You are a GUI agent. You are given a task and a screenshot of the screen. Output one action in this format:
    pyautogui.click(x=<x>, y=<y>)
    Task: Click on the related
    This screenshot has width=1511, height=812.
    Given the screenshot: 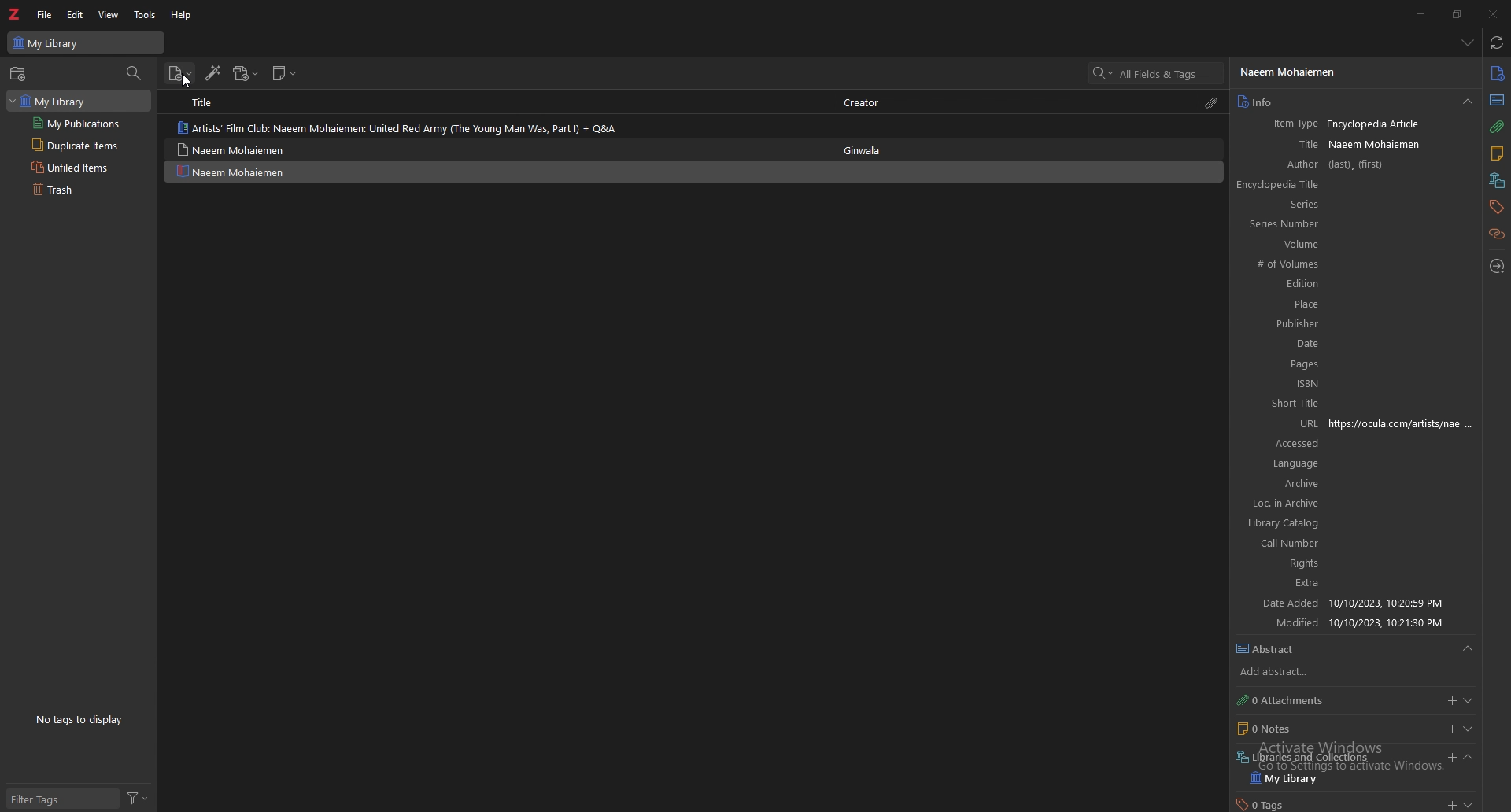 What is the action you would take?
    pyautogui.click(x=1498, y=233)
    